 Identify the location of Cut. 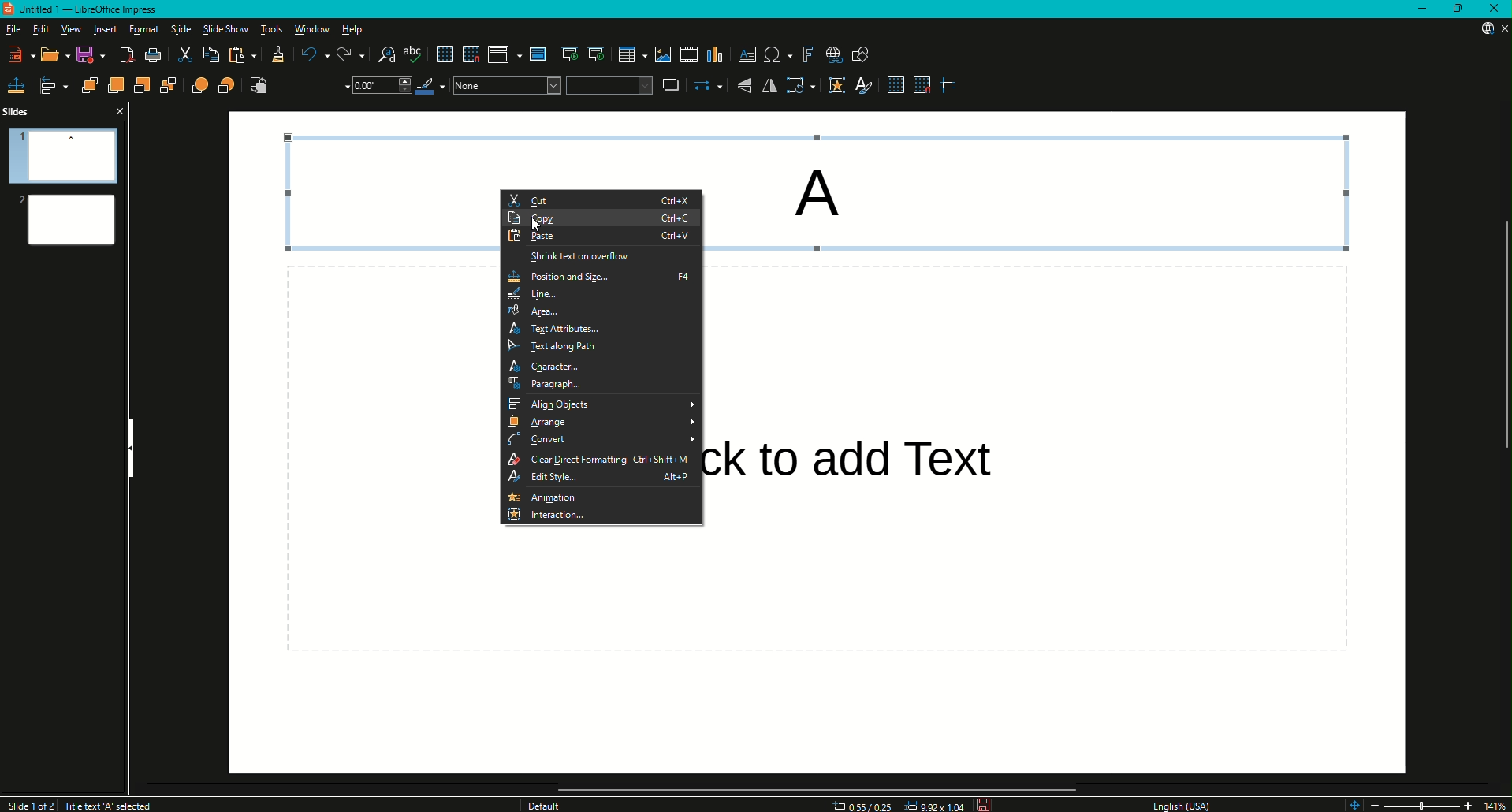
(181, 55).